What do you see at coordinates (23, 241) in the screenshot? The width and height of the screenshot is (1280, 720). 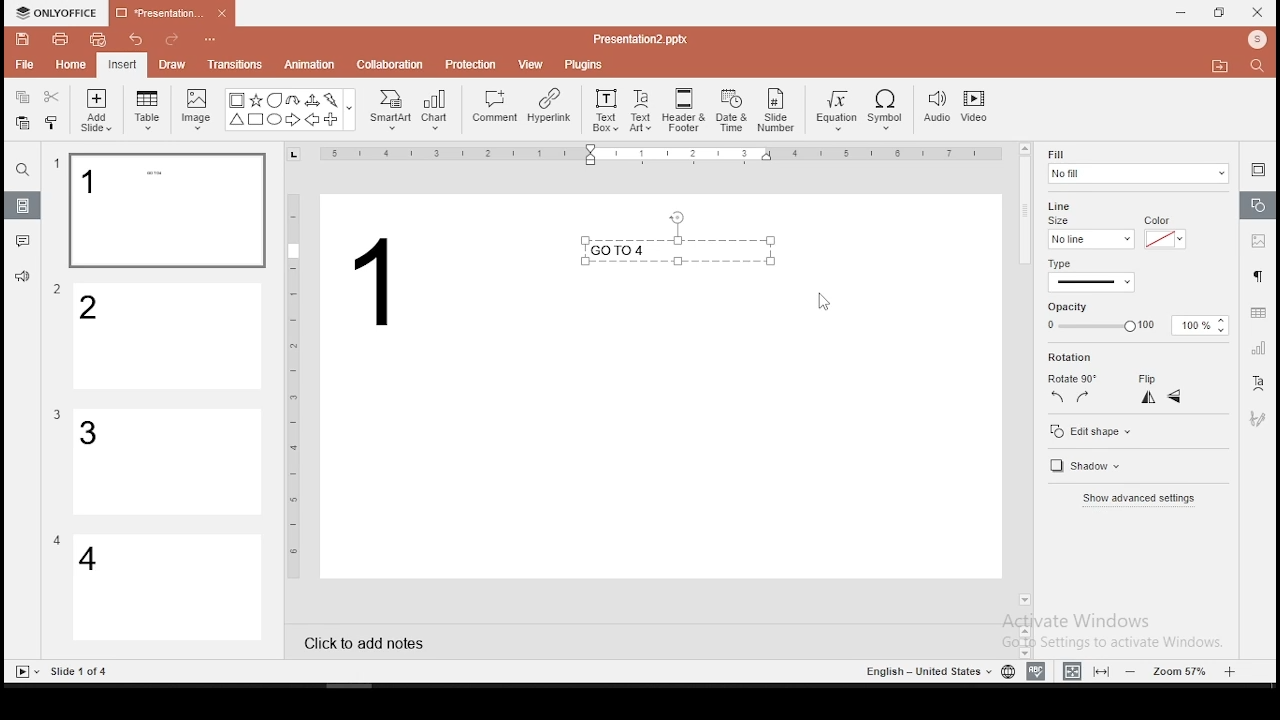 I see `comments` at bounding box center [23, 241].